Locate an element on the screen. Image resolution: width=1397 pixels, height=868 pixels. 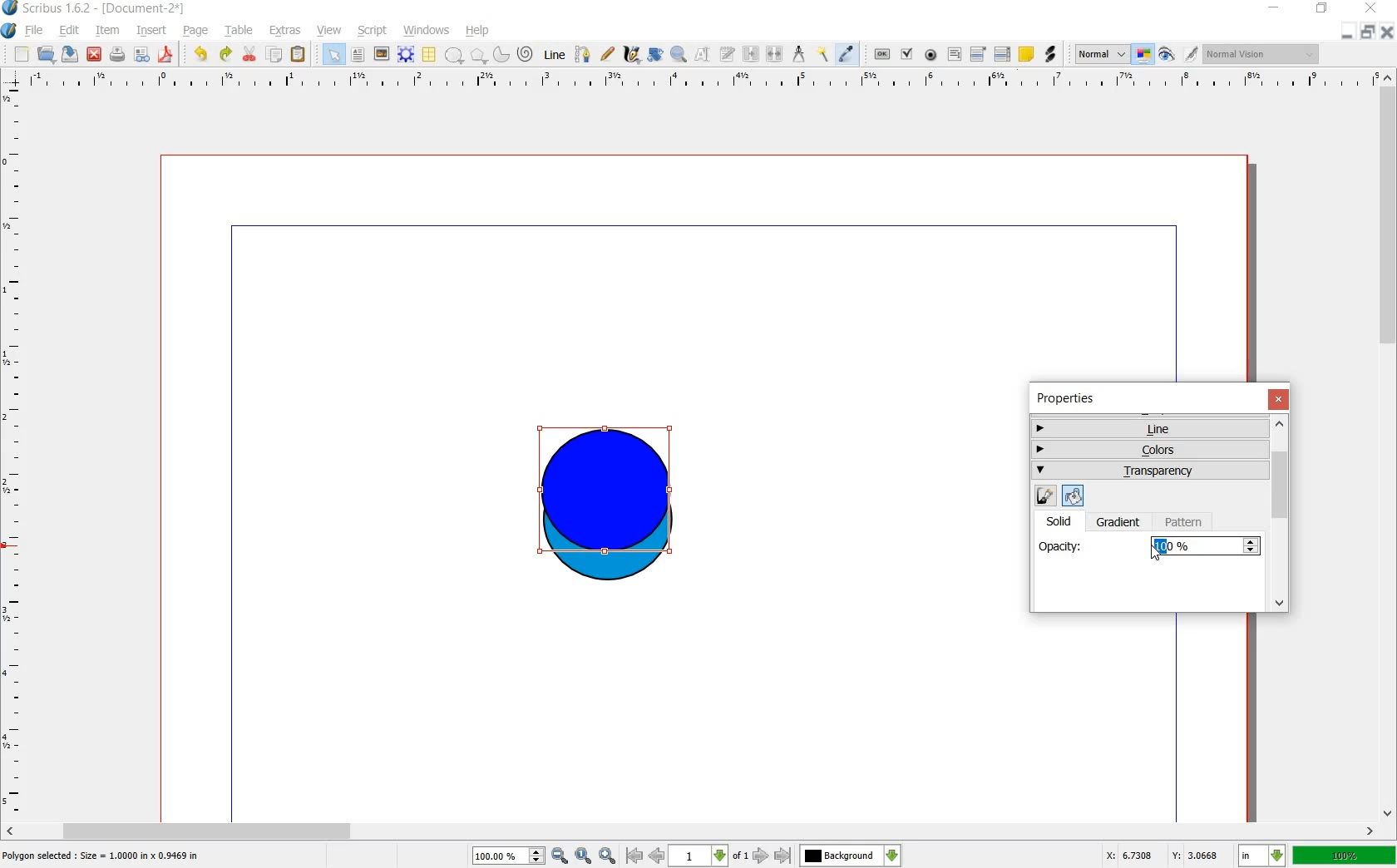
bezier curve is located at coordinates (583, 55).